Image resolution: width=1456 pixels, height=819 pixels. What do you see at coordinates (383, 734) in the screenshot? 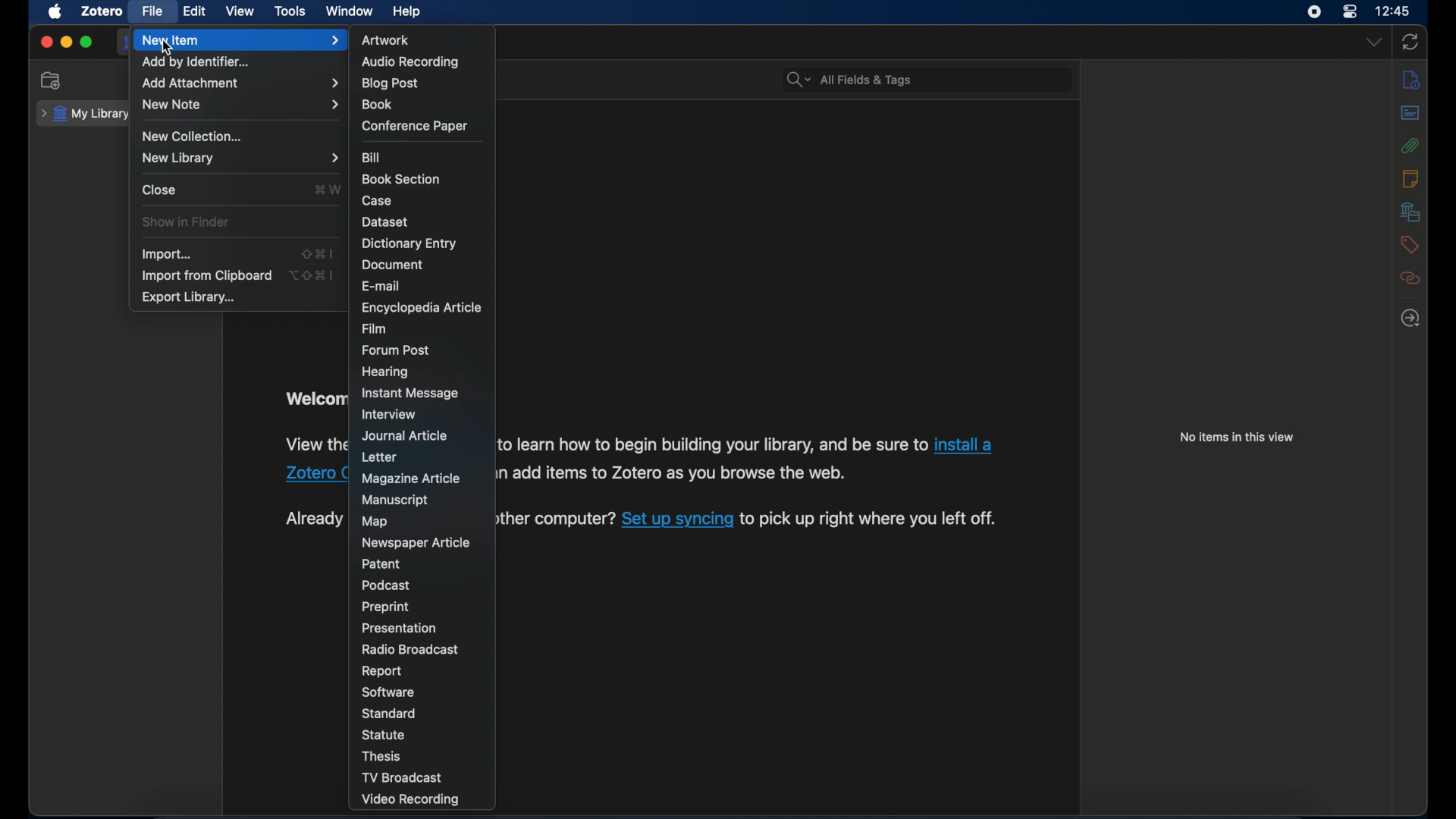
I see `statue` at bounding box center [383, 734].